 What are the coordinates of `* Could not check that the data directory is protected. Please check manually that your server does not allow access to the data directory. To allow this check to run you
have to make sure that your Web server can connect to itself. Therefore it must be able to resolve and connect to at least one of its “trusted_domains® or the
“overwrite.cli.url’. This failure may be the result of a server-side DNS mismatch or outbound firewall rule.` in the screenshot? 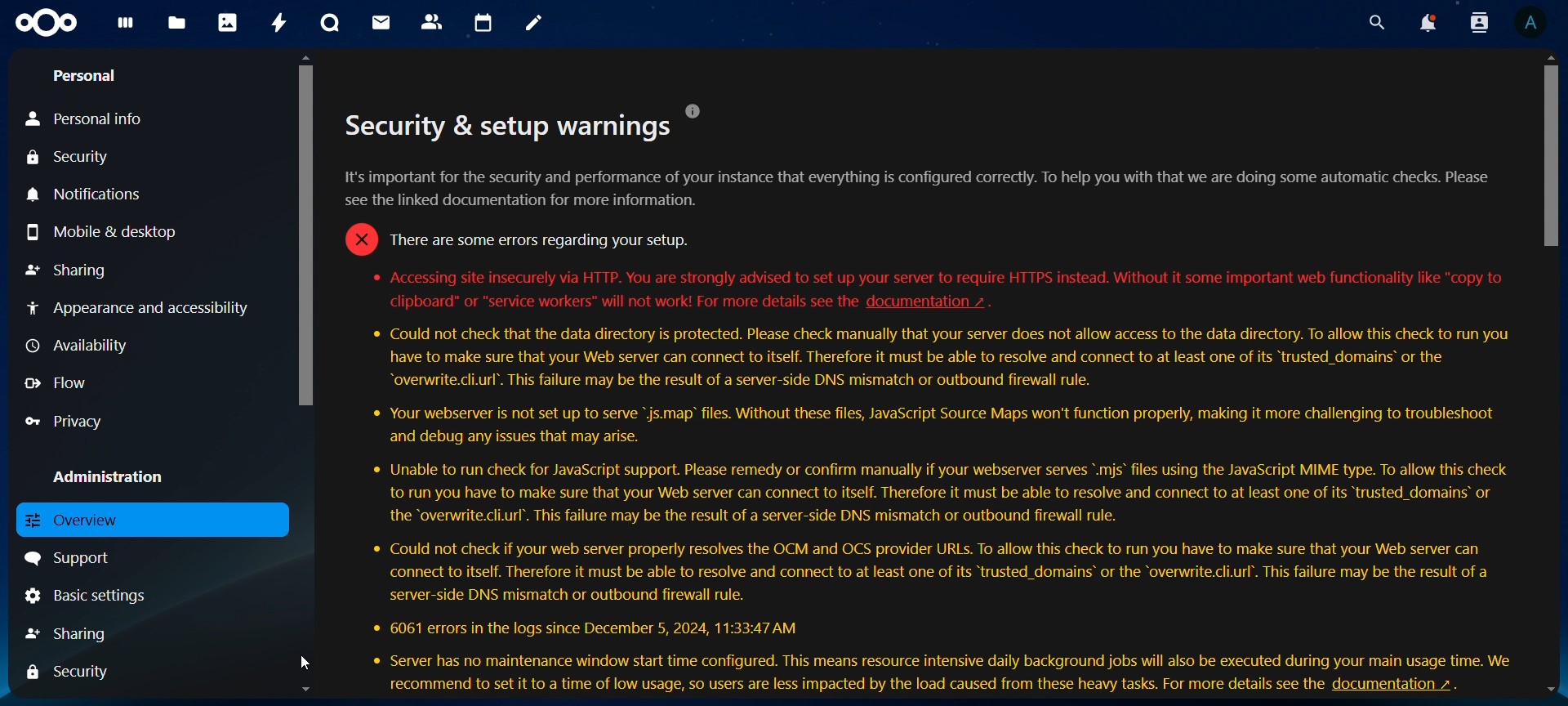 It's located at (947, 358).